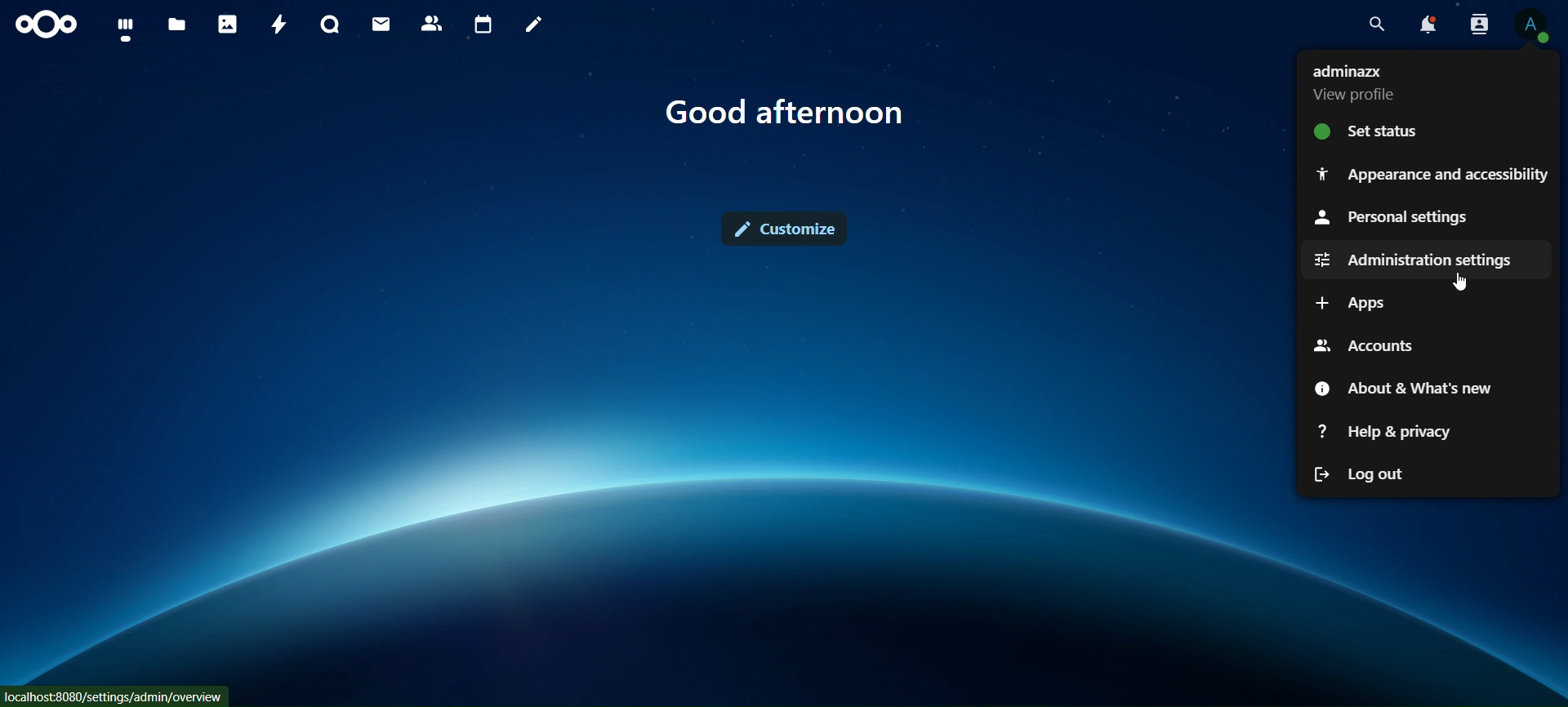  I want to click on contacts, so click(431, 23).